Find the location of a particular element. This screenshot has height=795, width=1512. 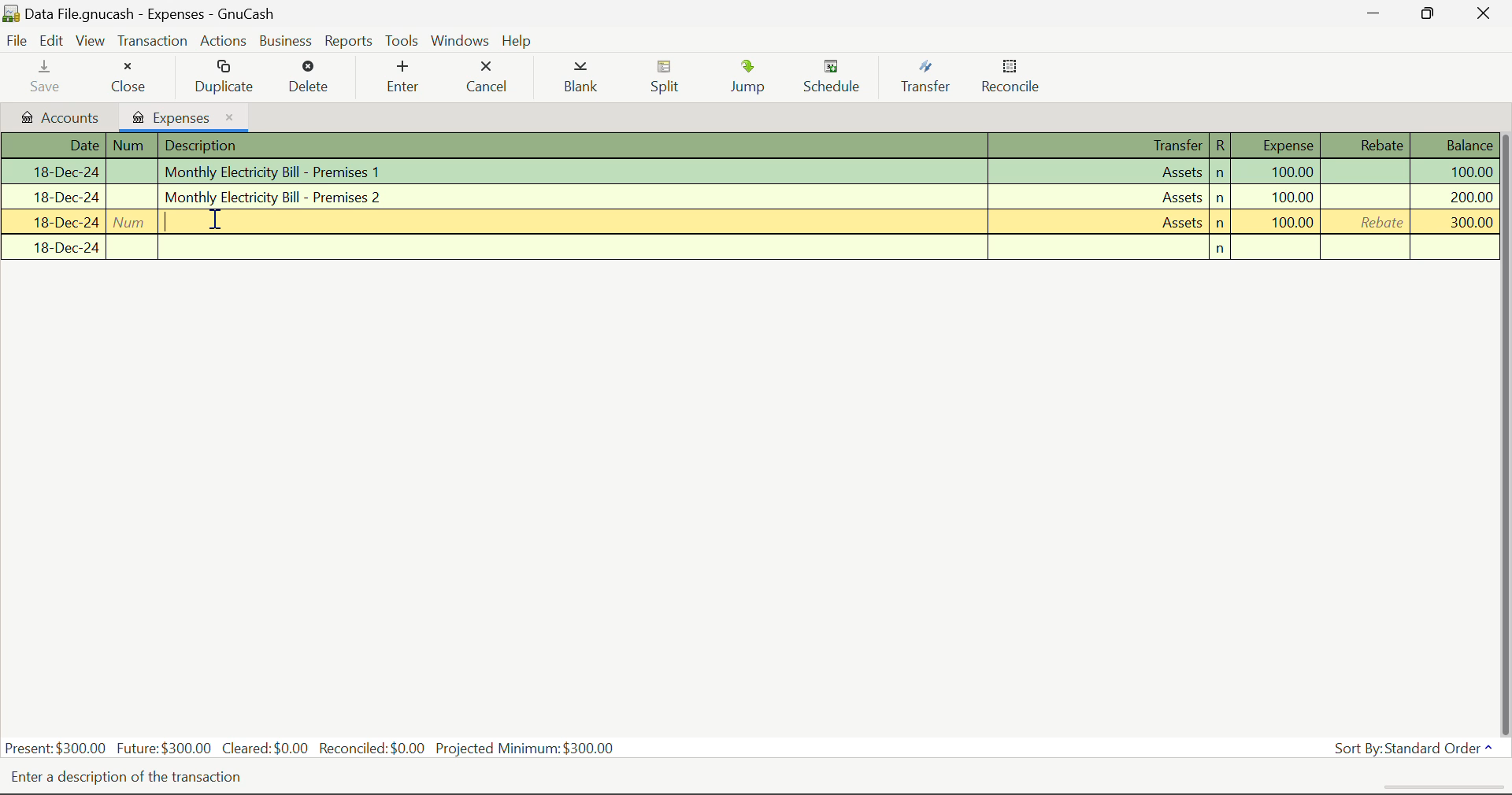

Expenses is located at coordinates (183, 115).